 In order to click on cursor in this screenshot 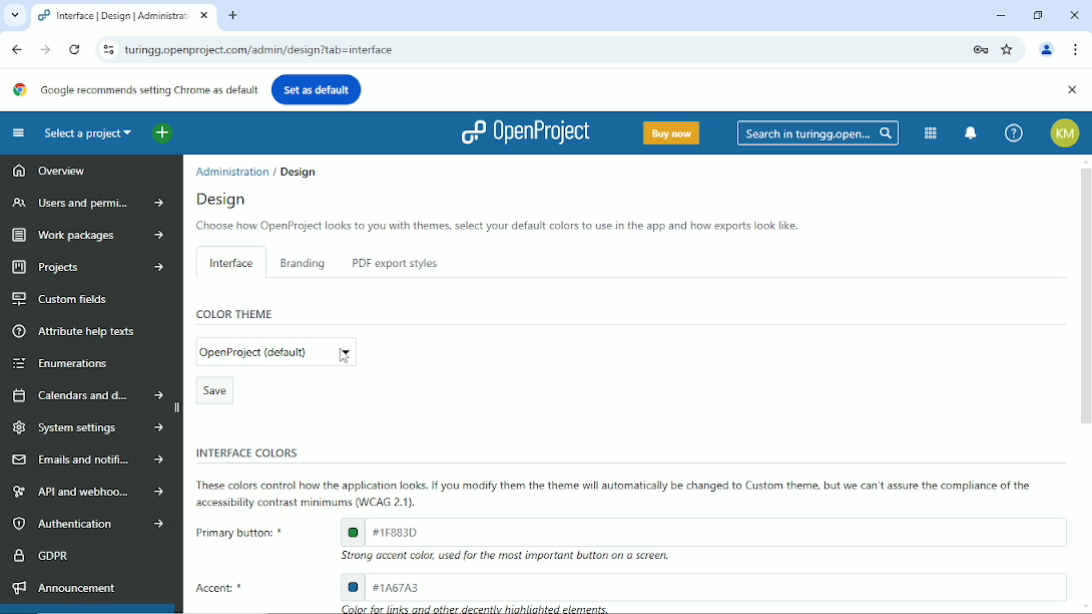, I will do `click(349, 357)`.